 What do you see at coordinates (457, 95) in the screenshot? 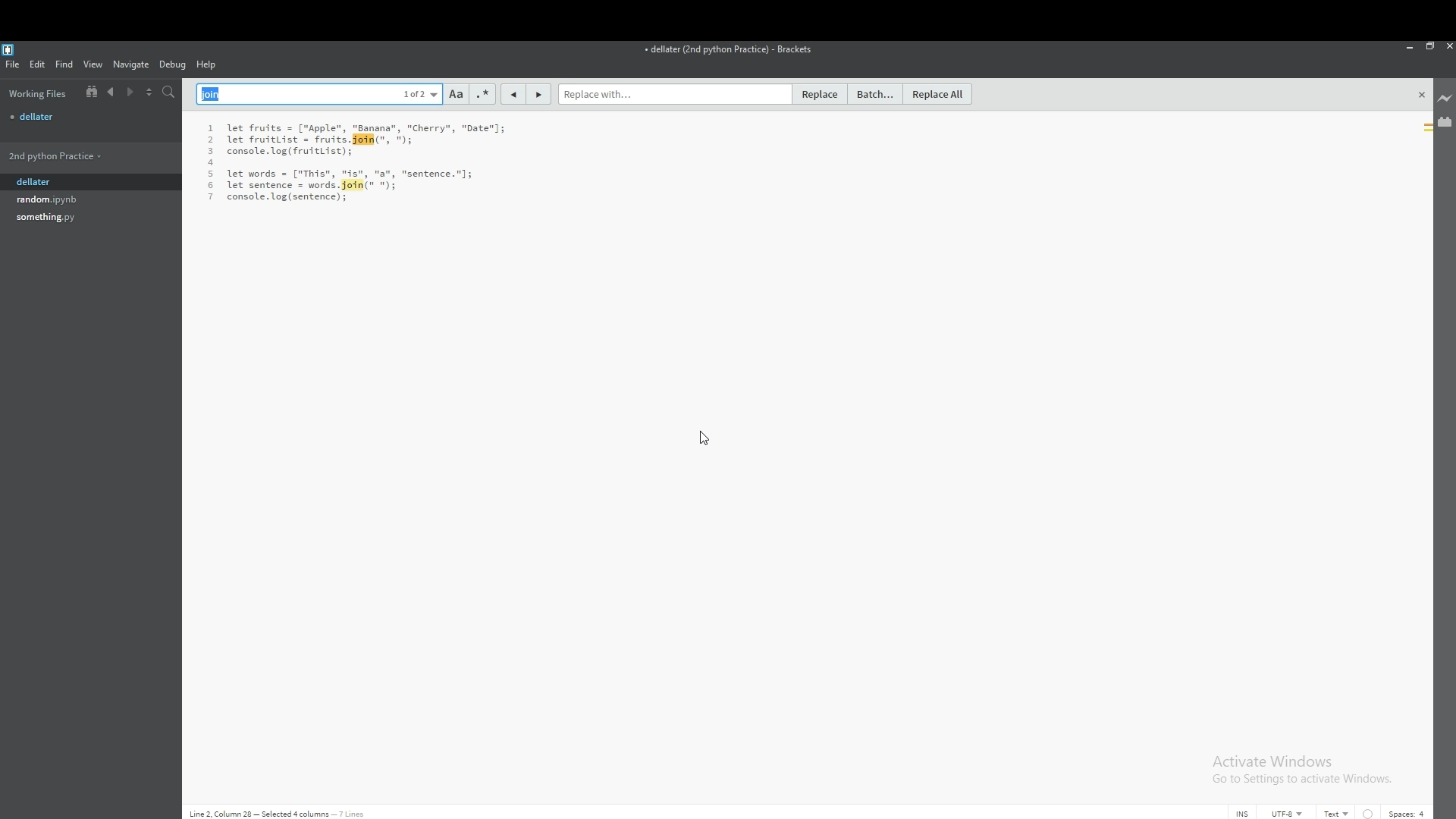
I see `match case` at bounding box center [457, 95].